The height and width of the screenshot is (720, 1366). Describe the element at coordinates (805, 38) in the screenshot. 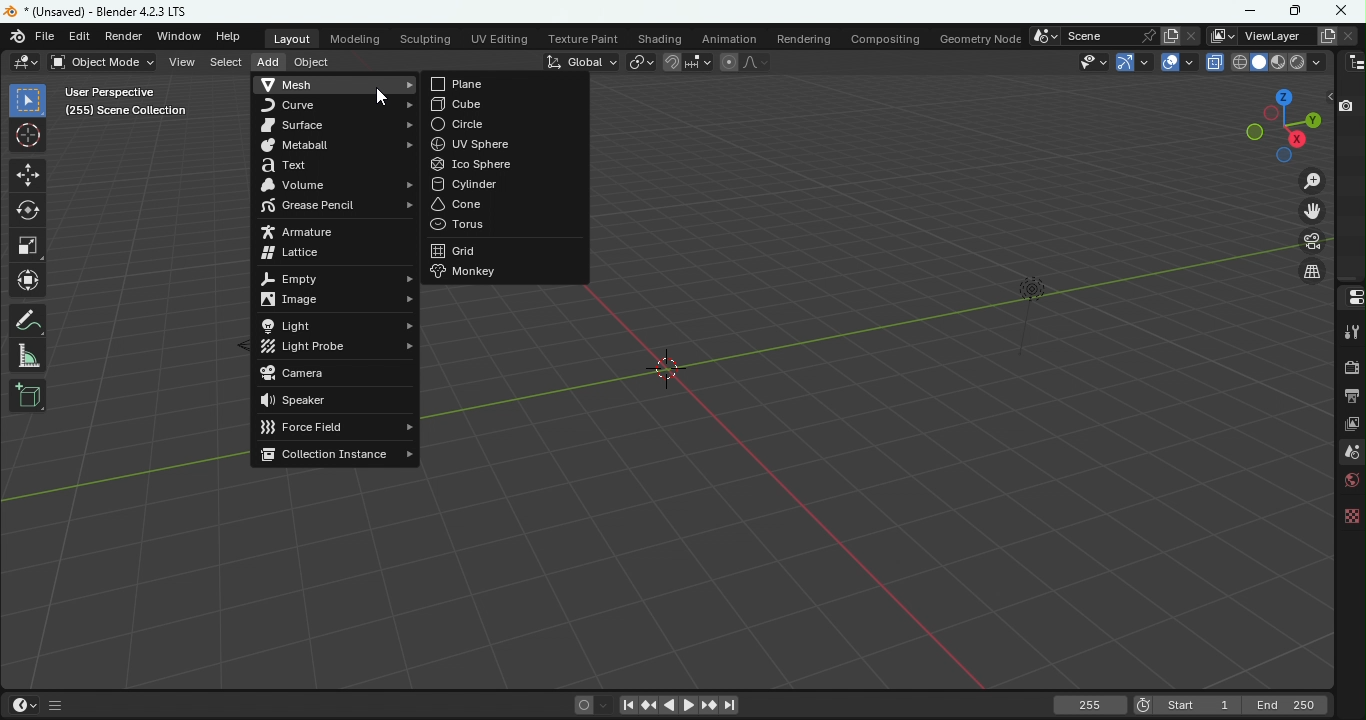

I see `Rendering` at that location.